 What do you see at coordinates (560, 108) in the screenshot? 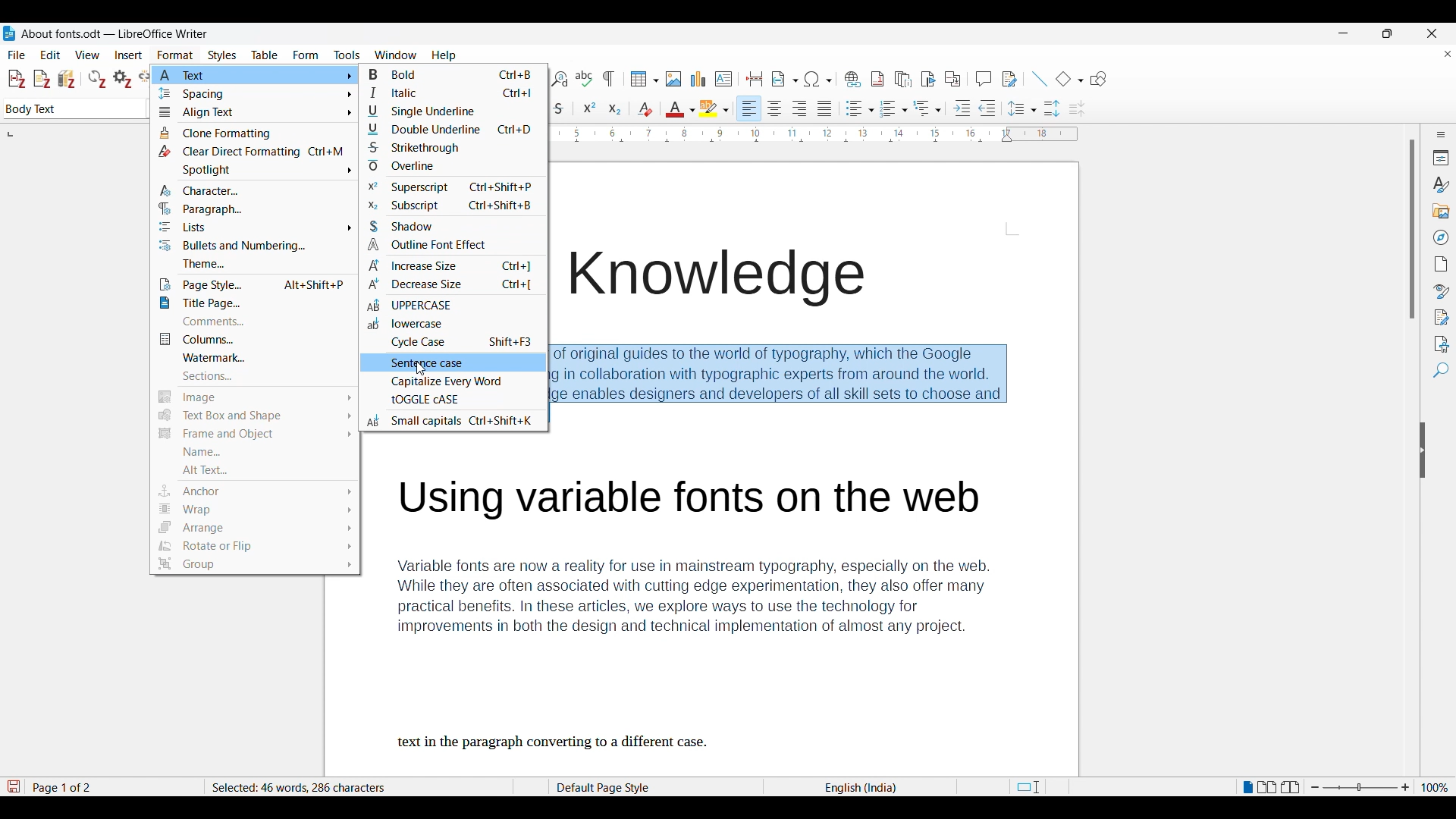
I see `Strike through` at bounding box center [560, 108].